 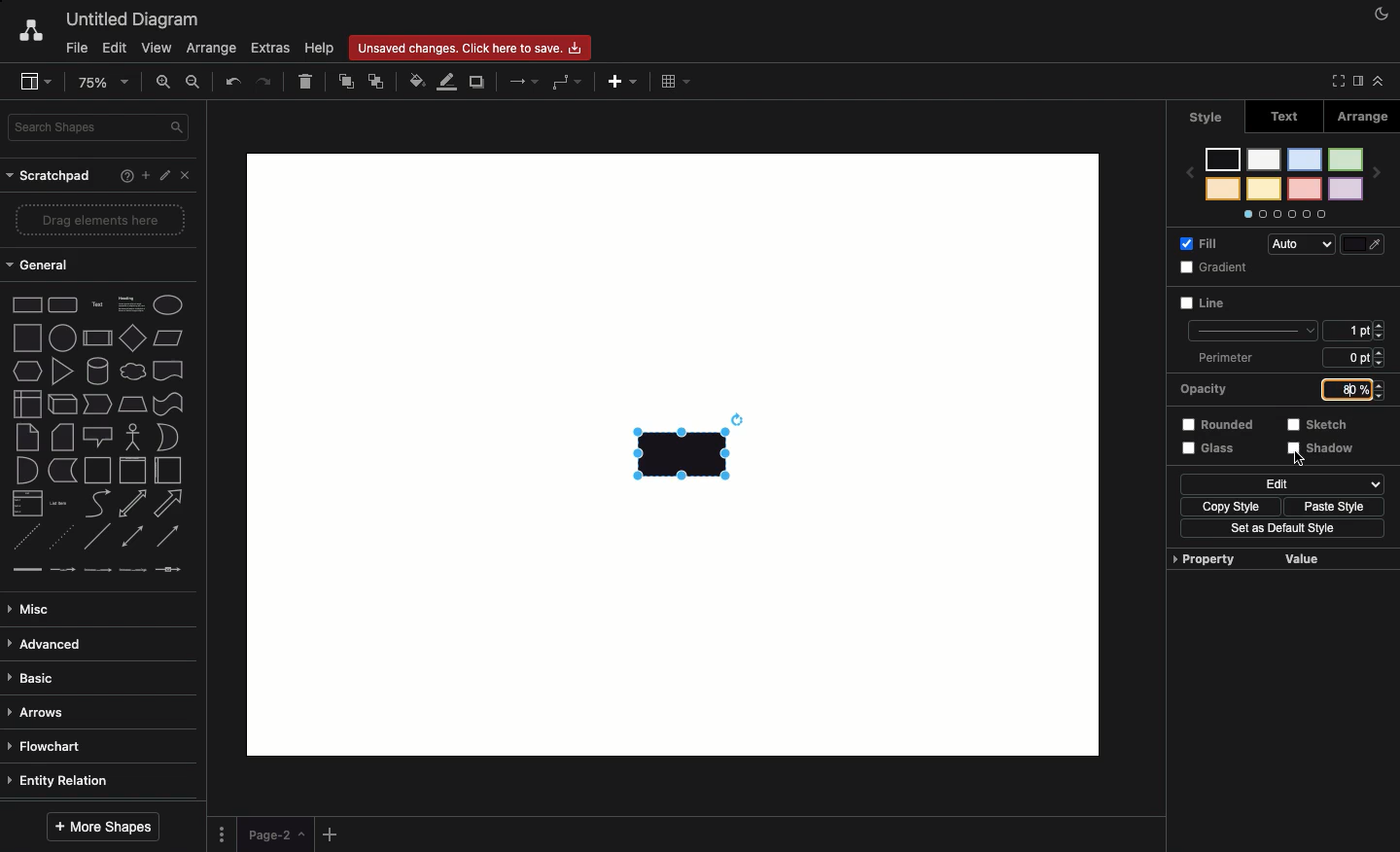 What do you see at coordinates (63, 569) in the screenshot?
I see `connector with label` at bounding box center [63, 569].